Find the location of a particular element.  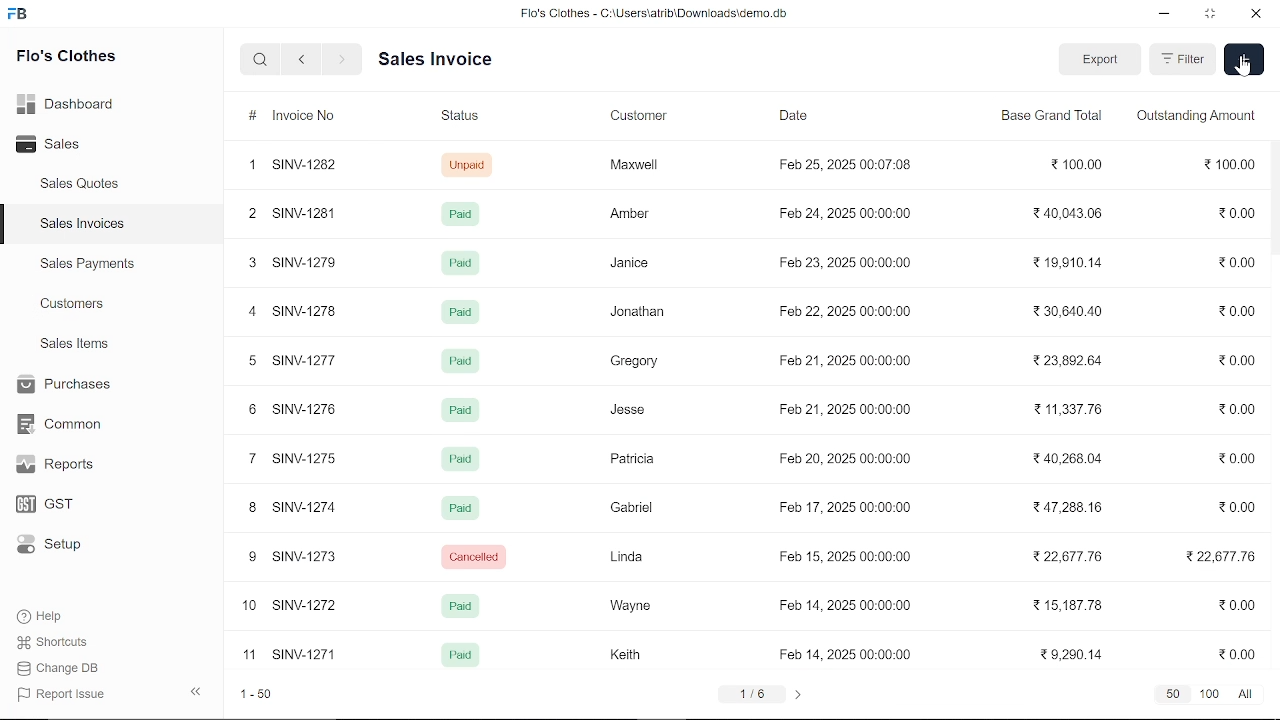

7 SINV-1275 Pag Patricia Feb 20, 2025 00:00:00 240,268.04 20.00 is located at coordinates (747, 458).